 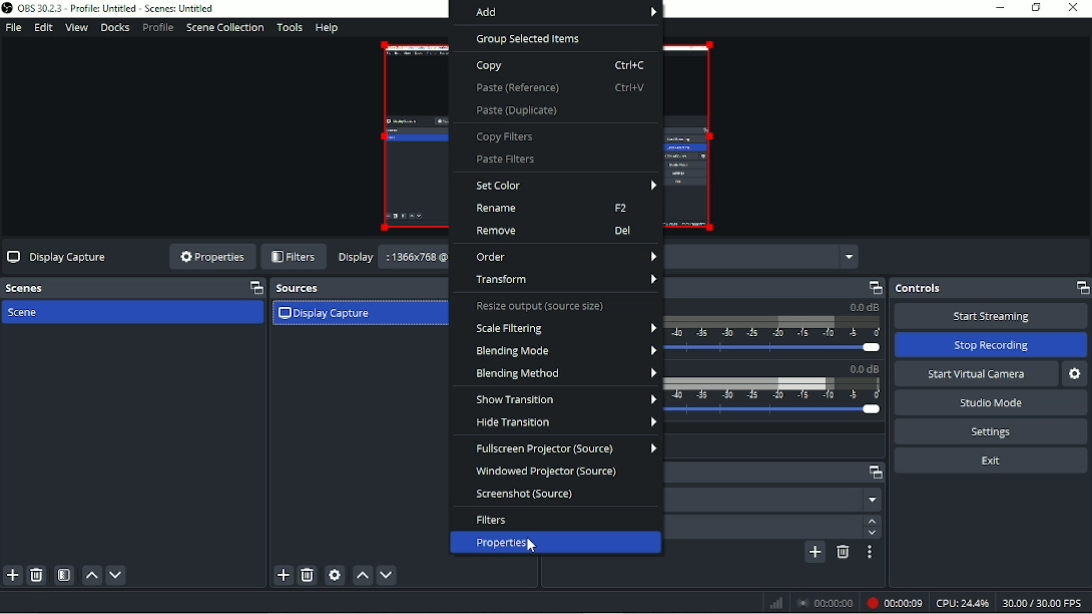 What do you see at coordinates (505, 137) in the screenshot?
I see `Copy filters` at bounding box center [505, 137].